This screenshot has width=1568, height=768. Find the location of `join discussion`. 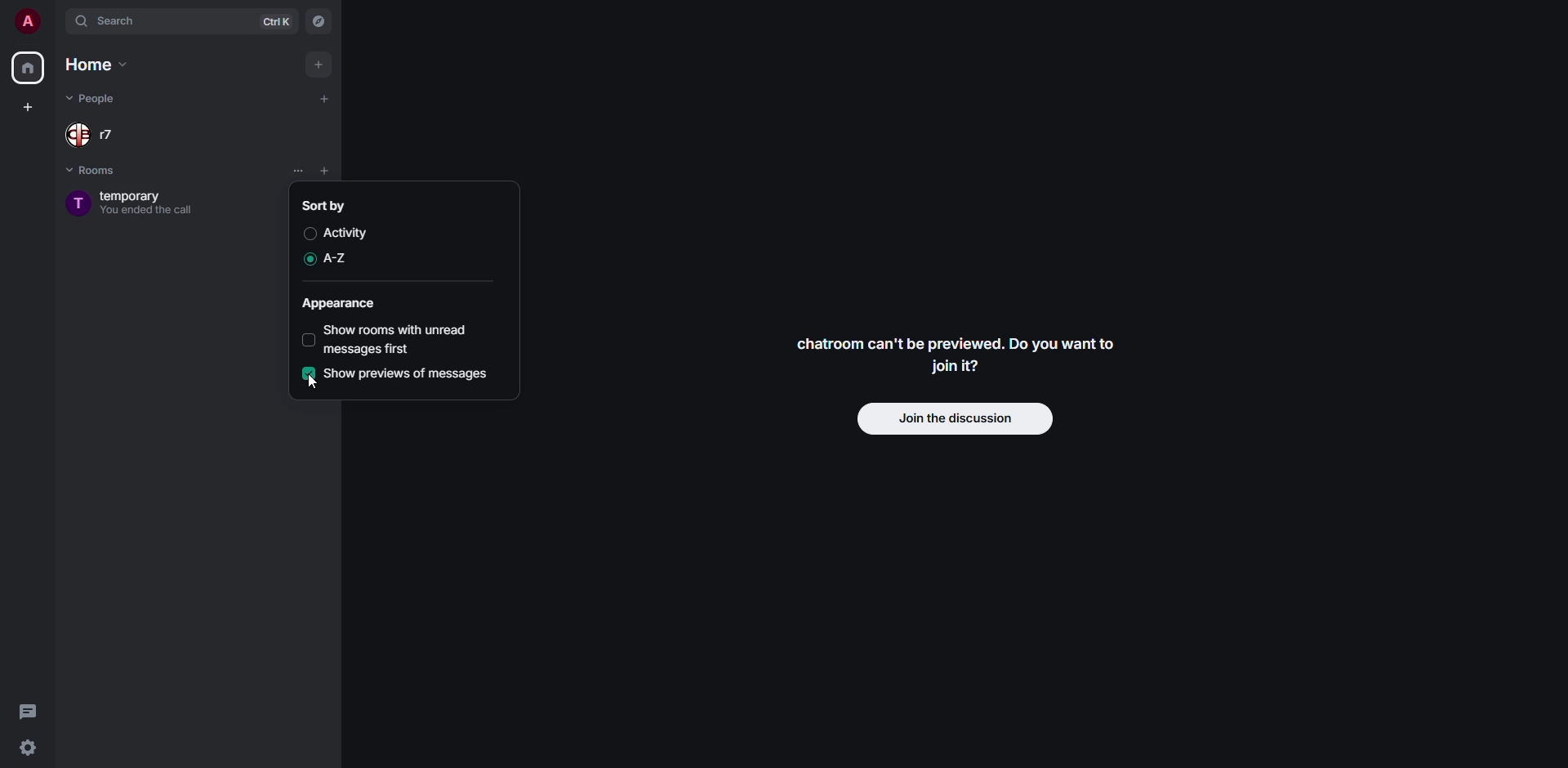

join discussion is located at coordinates (957, 420).